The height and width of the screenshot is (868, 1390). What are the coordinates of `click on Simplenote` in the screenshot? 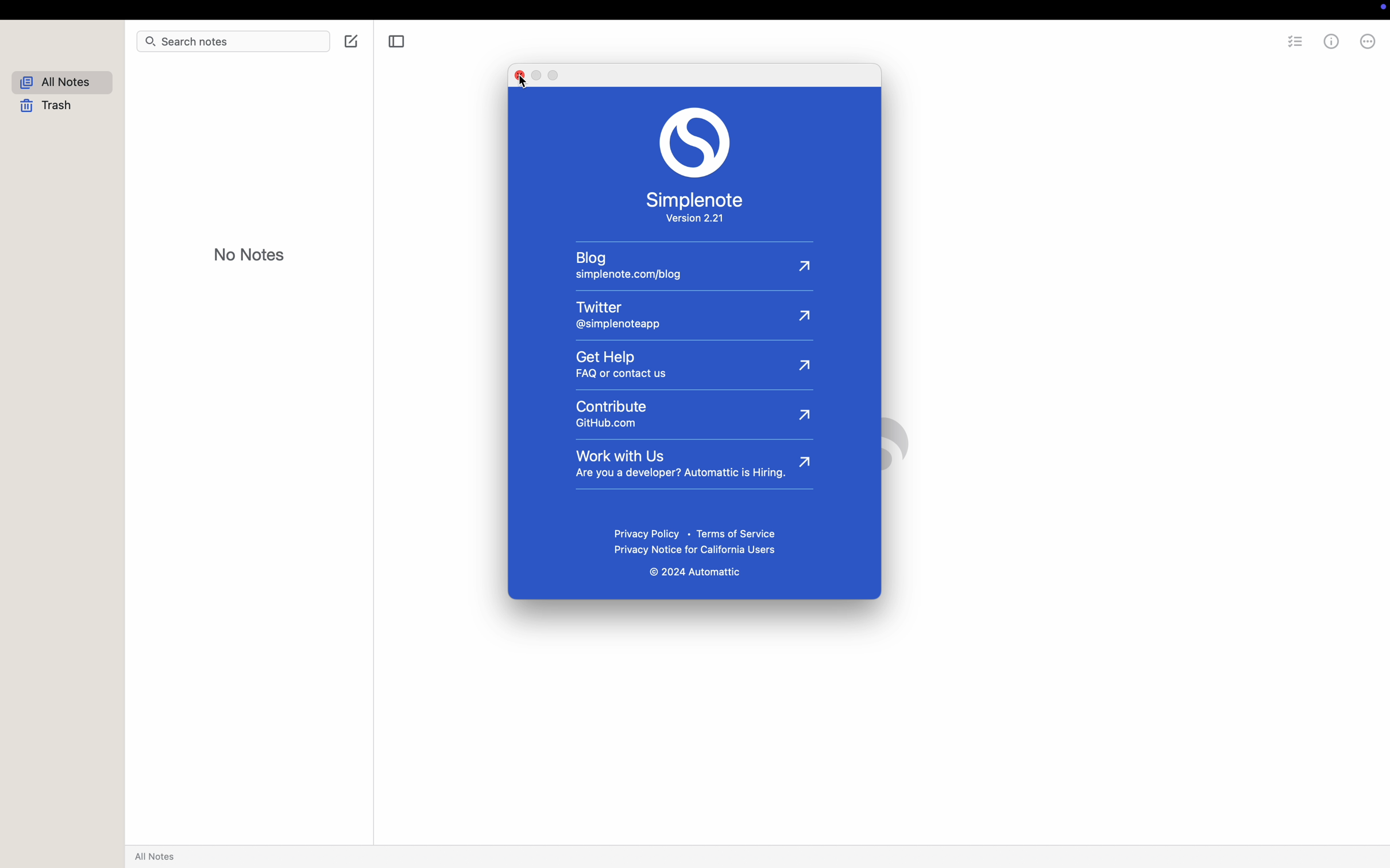 It's located at (72, 9).